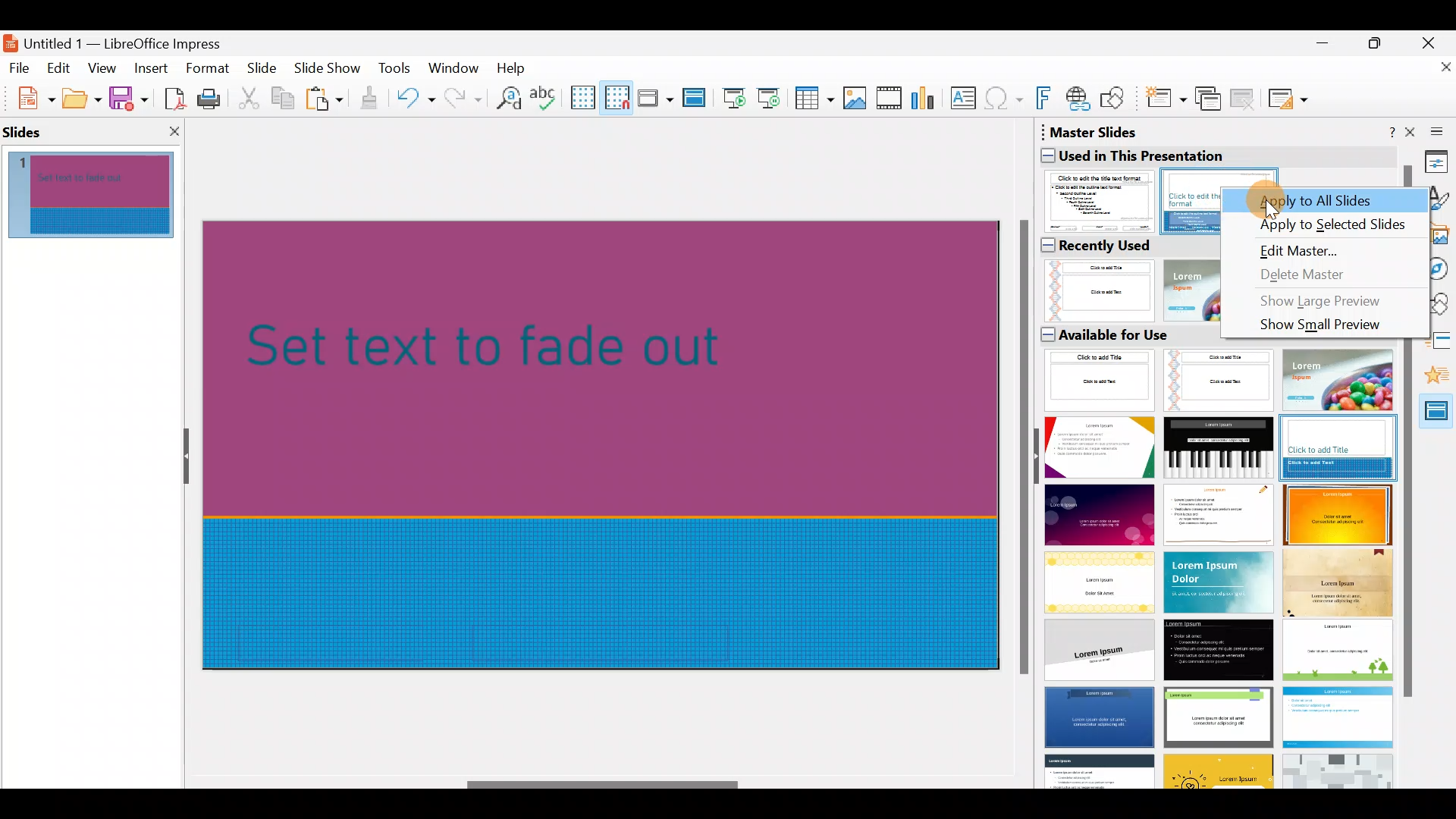 The image size is (1456, 819). I want to click on Display views, so click(654, 97).